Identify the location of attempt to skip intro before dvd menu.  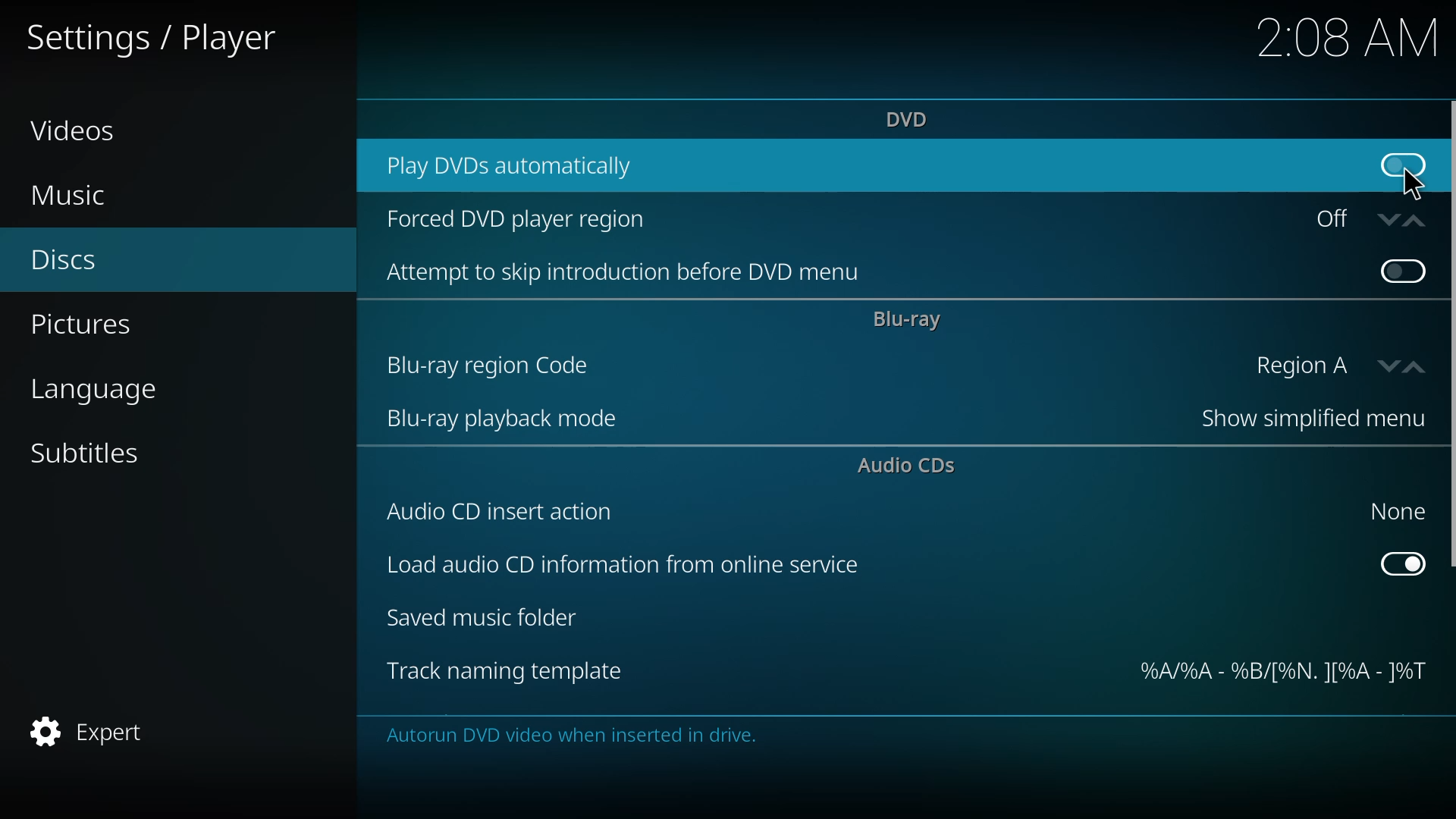
(631, 273).